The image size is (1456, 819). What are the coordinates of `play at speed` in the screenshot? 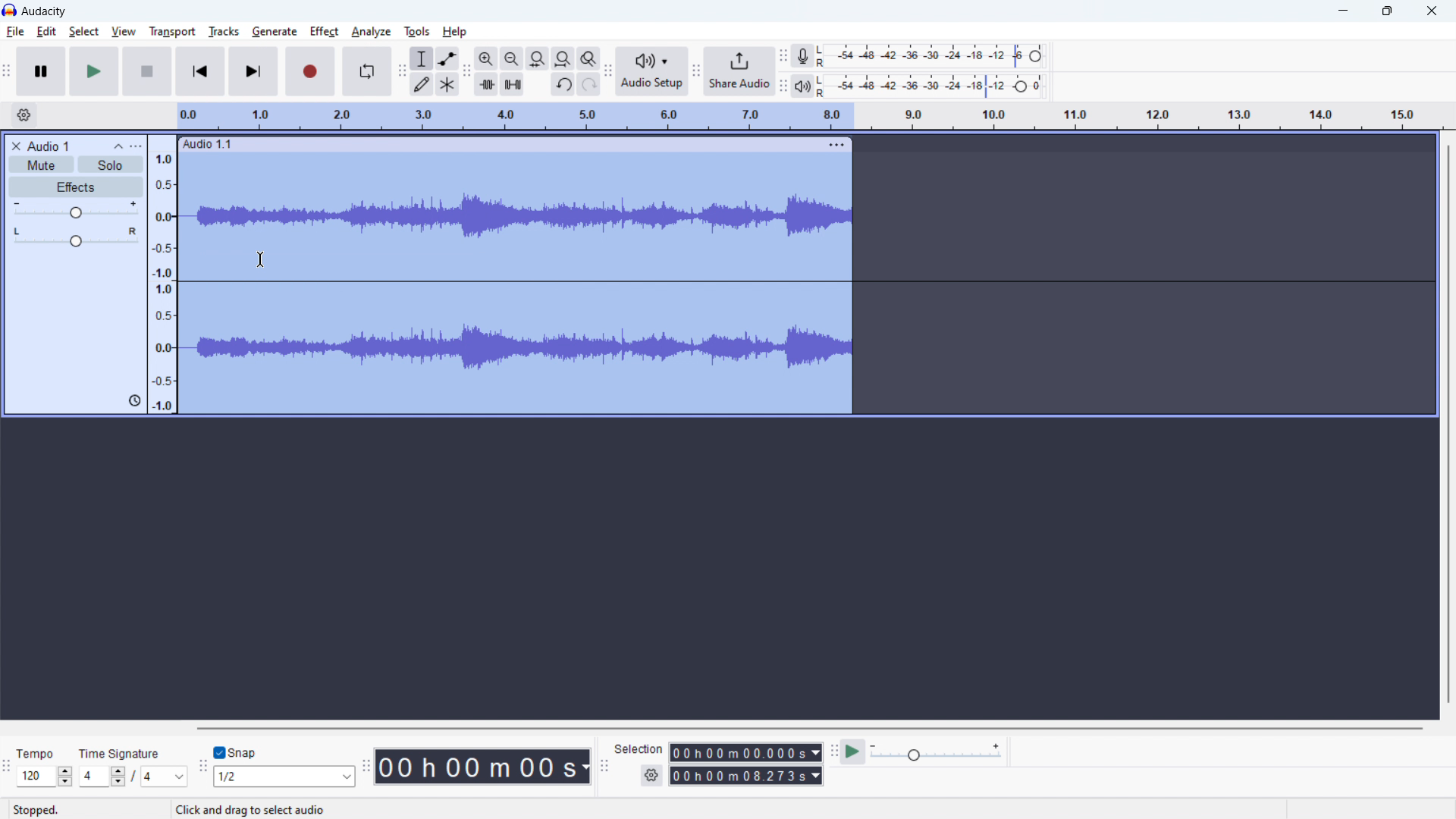 It's located at (854, 751).